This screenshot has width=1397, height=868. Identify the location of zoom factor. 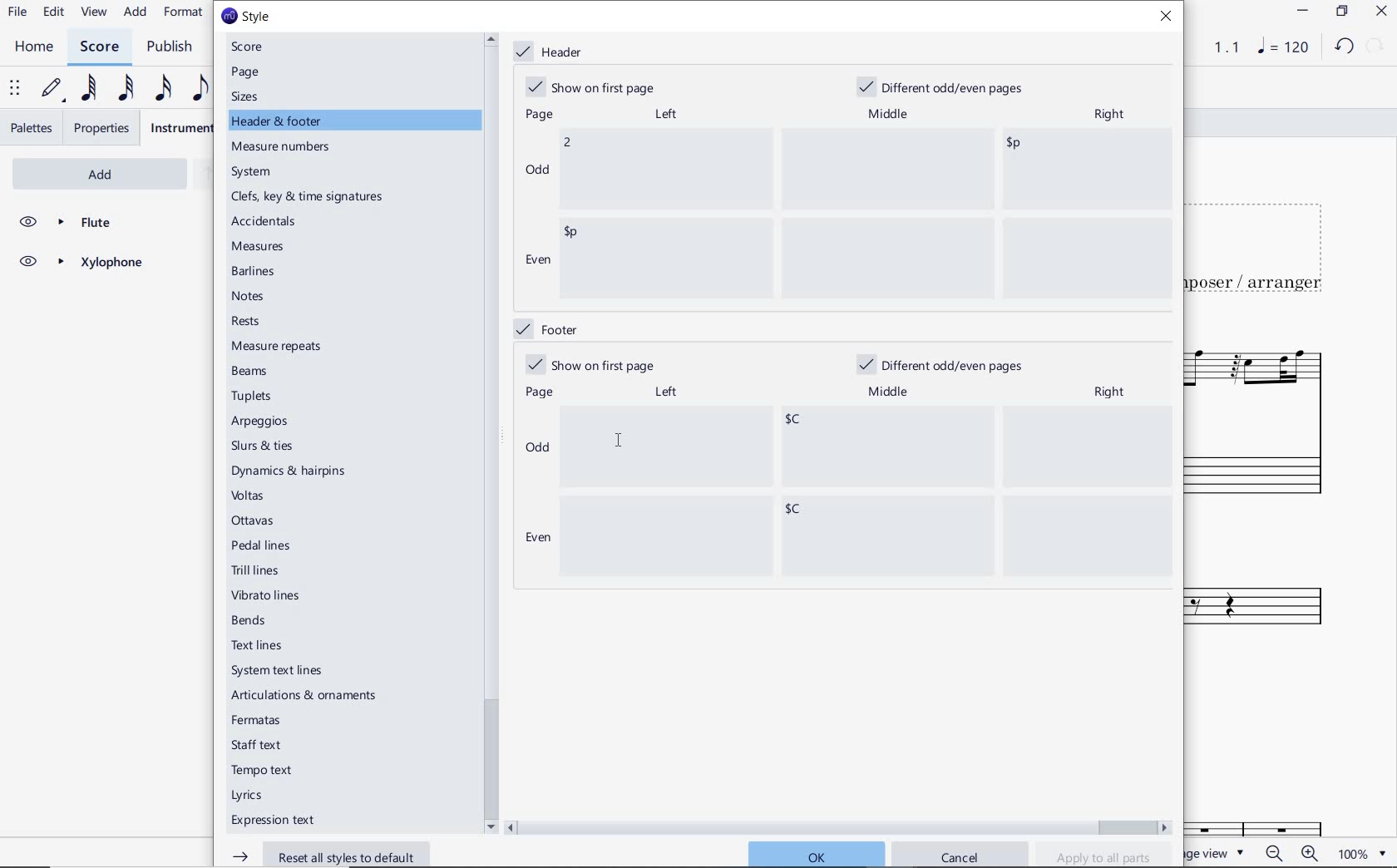
(1360, 853).